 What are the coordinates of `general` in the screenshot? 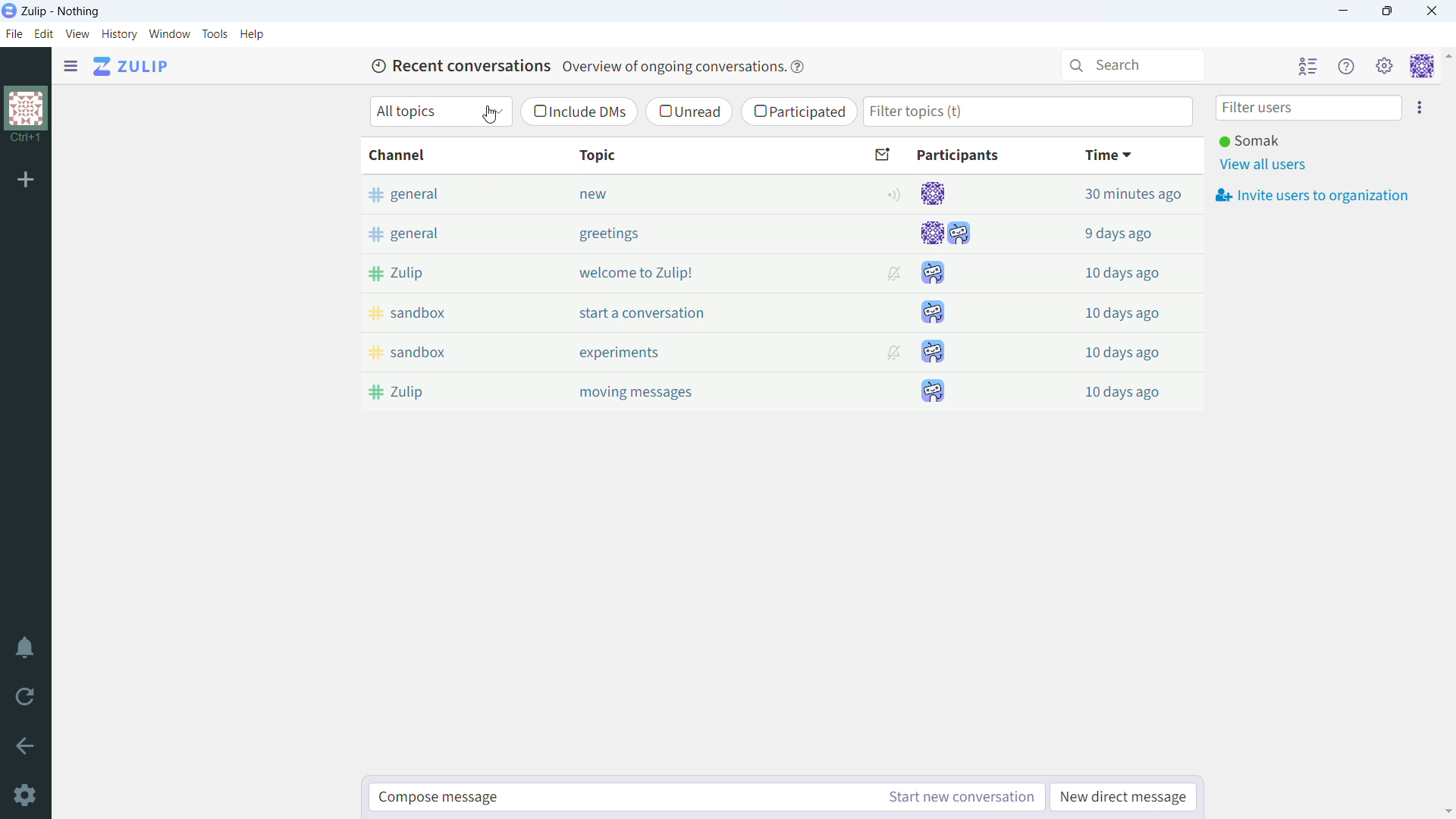 It's located at (450, 234).